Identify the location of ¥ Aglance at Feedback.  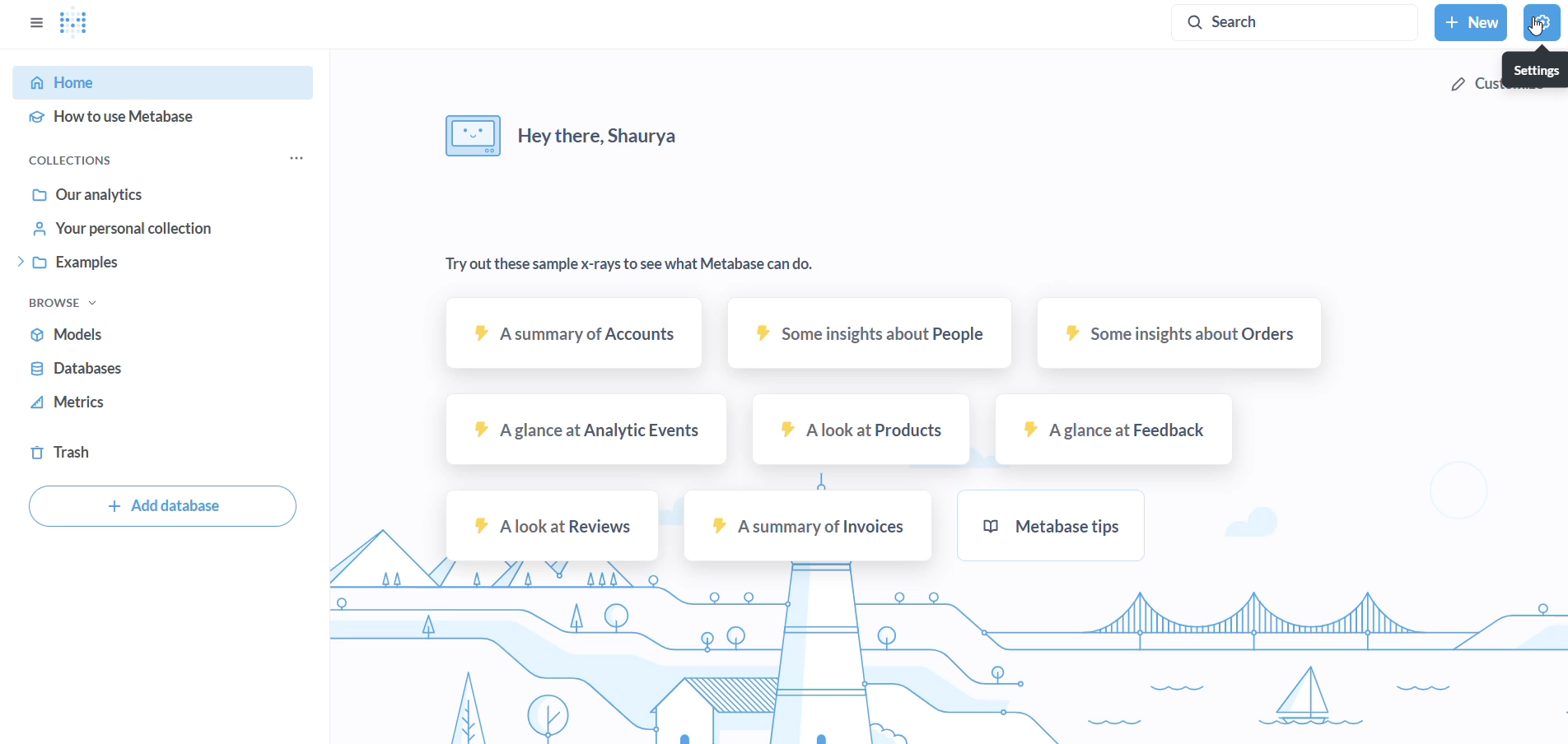
(1118, 430).